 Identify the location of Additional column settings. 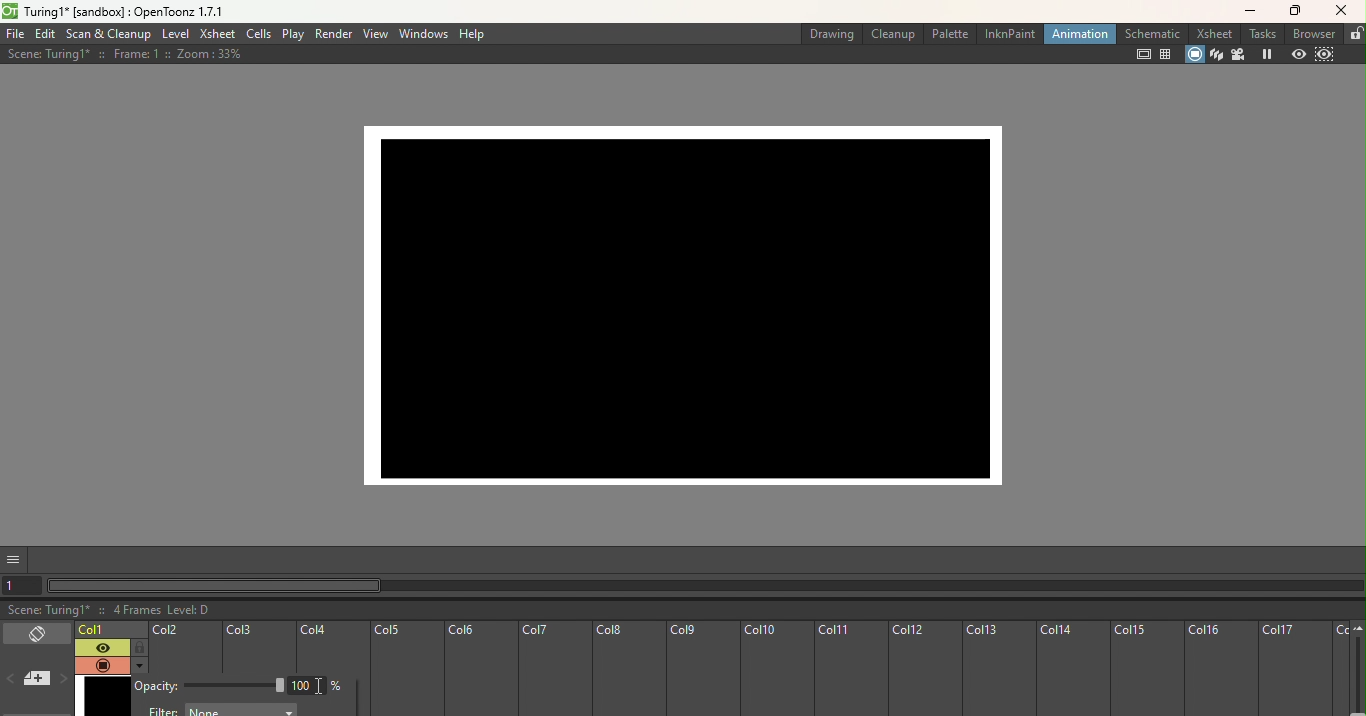
(138, 665).